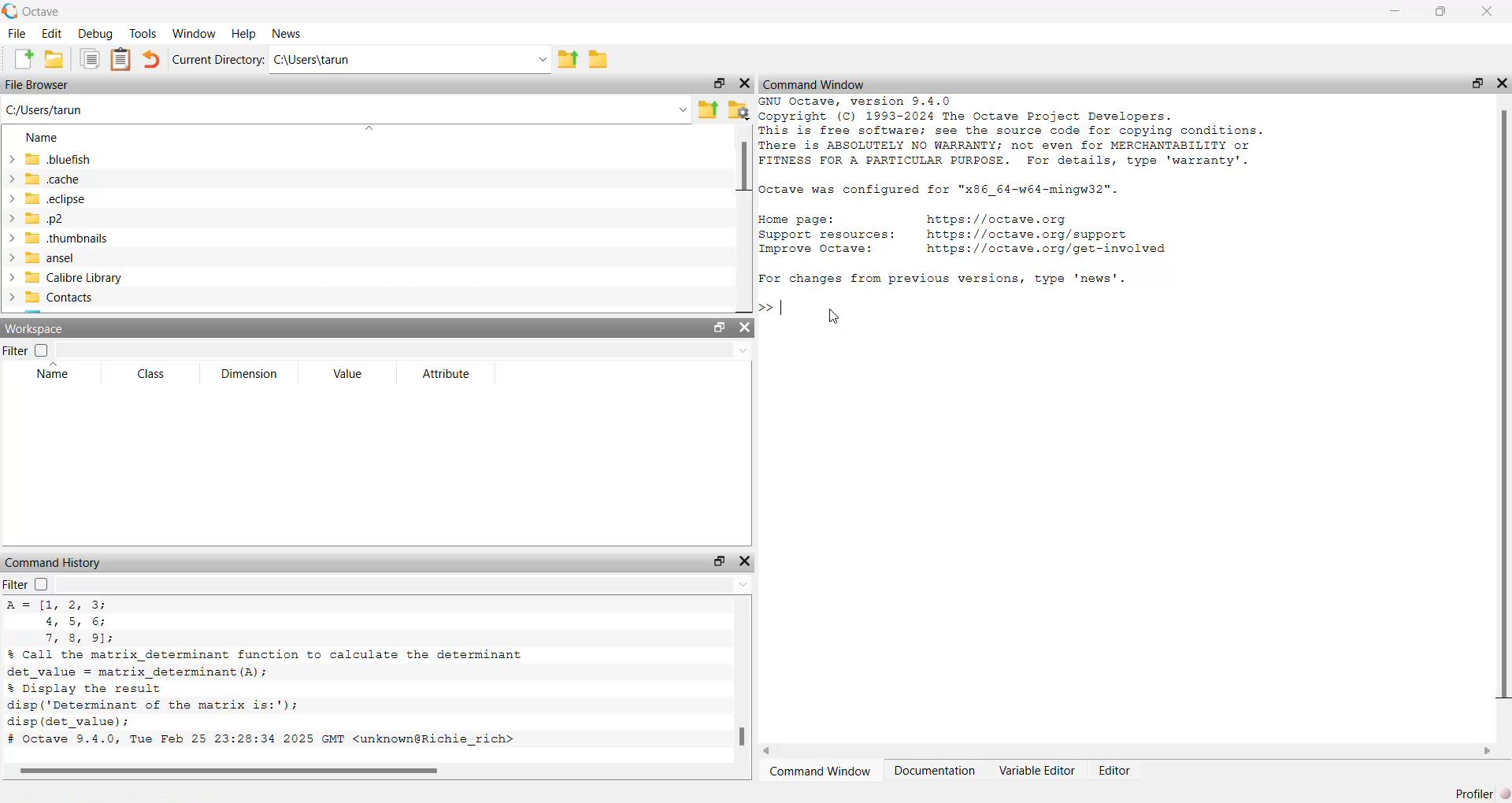 This screenshot has width=1512, height=803. Describe the element at coordinates (39, 84) in the screenshot. I see `file browser` at that location.